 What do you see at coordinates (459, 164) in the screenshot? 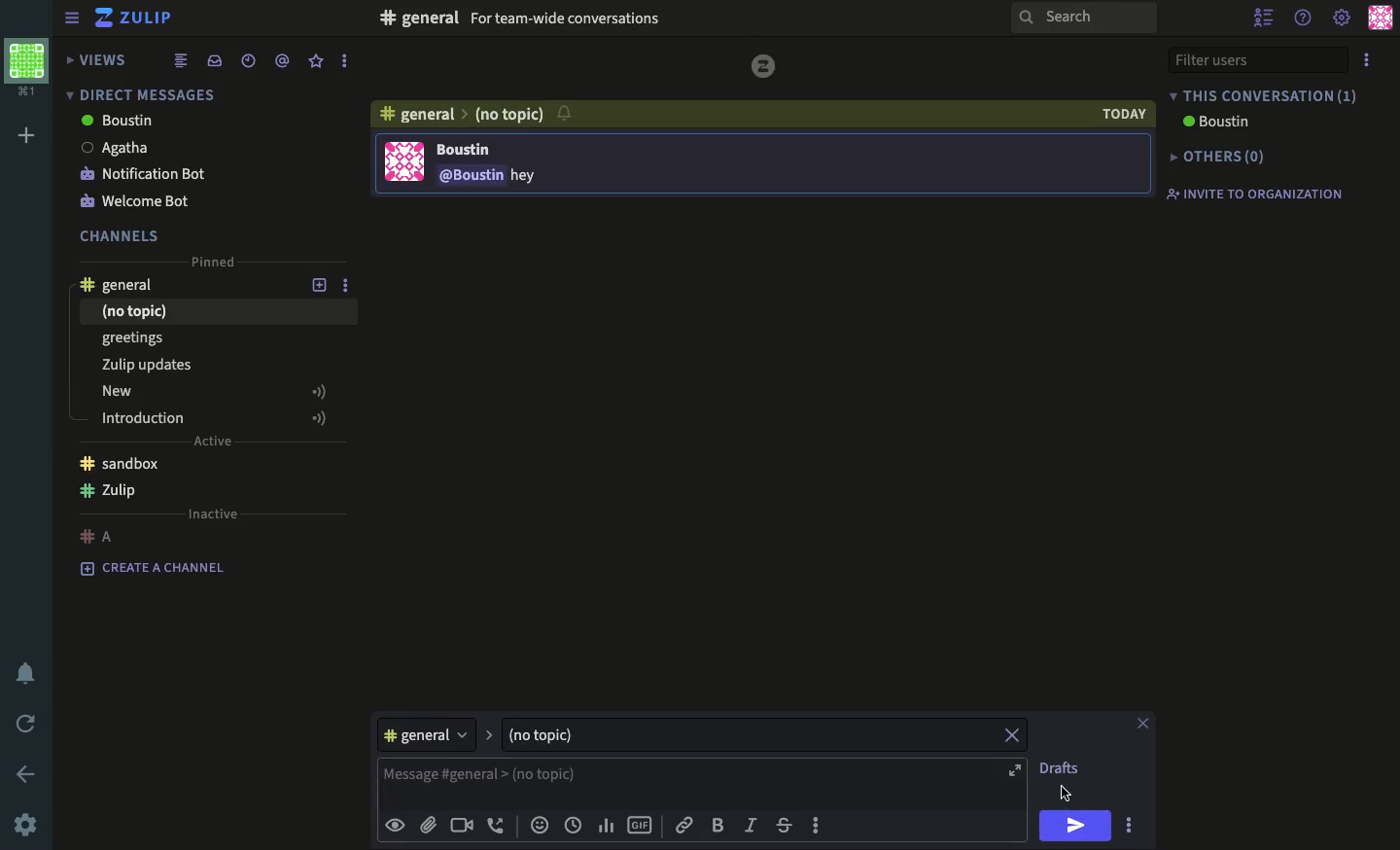
I see `message sent` at bounding box center [459, 164].